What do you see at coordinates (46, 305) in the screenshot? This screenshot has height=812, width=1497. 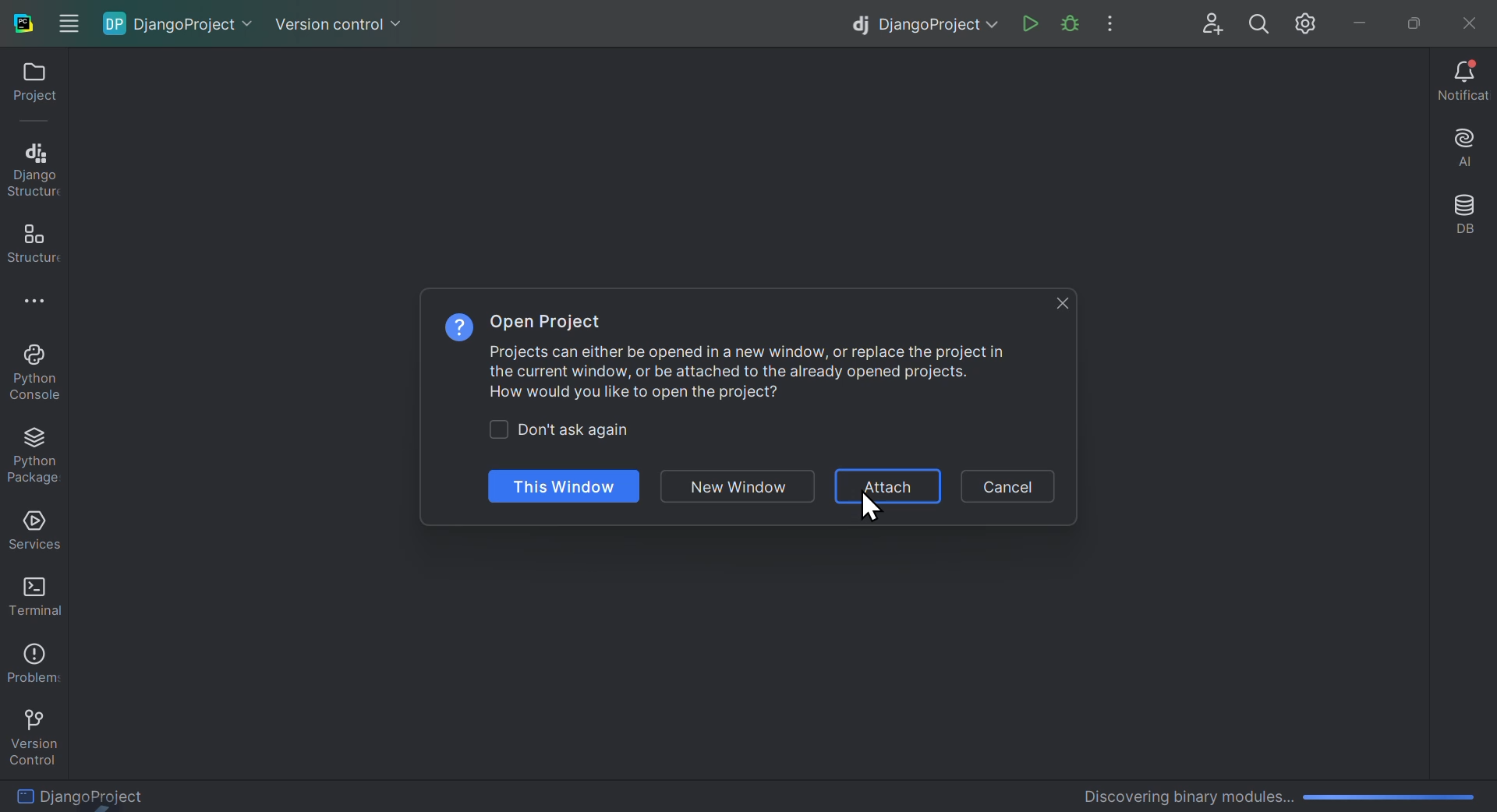 I see `More options` at bounding box center [46, 305].